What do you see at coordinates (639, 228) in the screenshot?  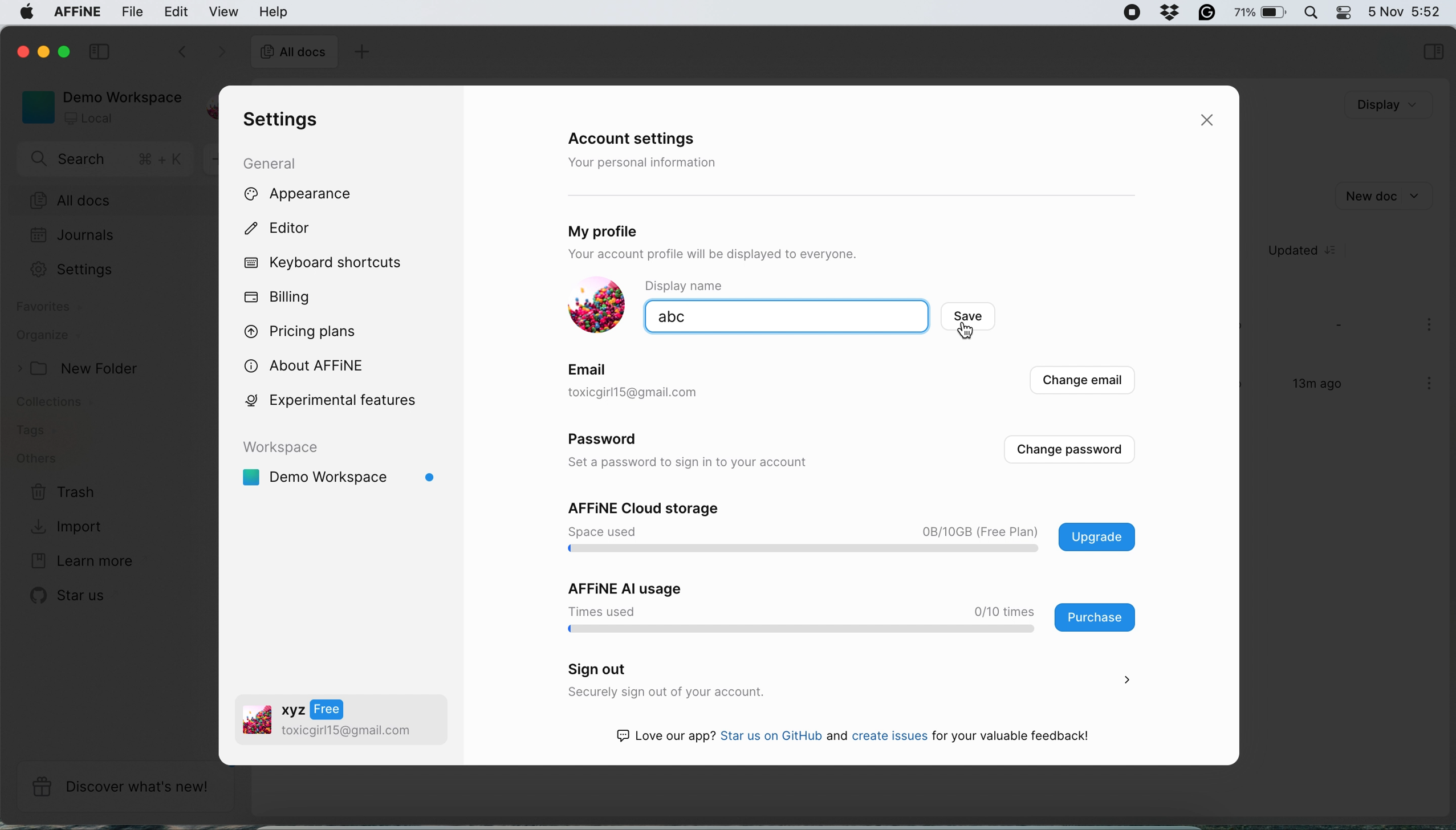 I see `my profile` at bounding box center [639, 228].